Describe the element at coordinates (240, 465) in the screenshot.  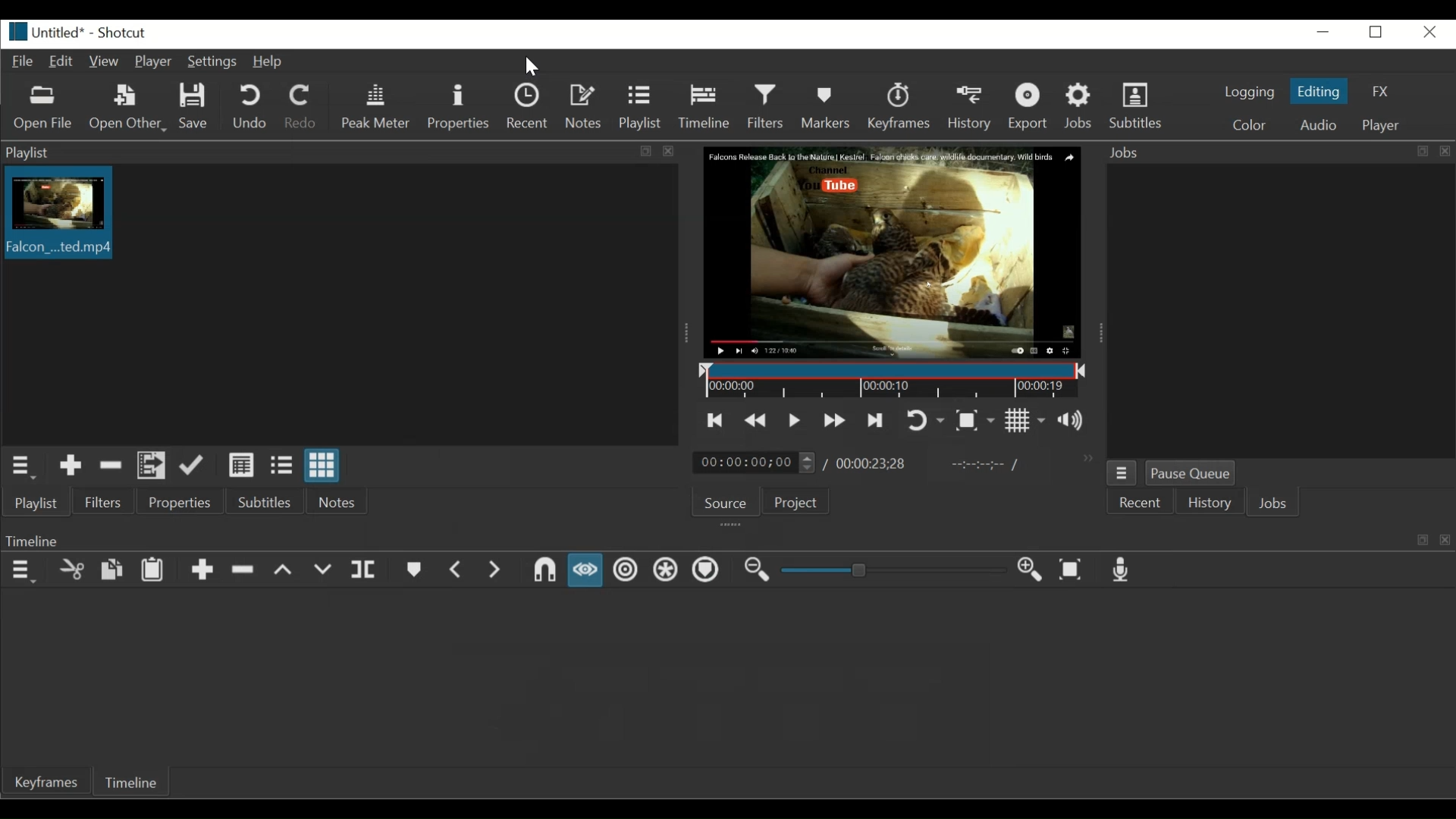
I see `View as detail` at that location.